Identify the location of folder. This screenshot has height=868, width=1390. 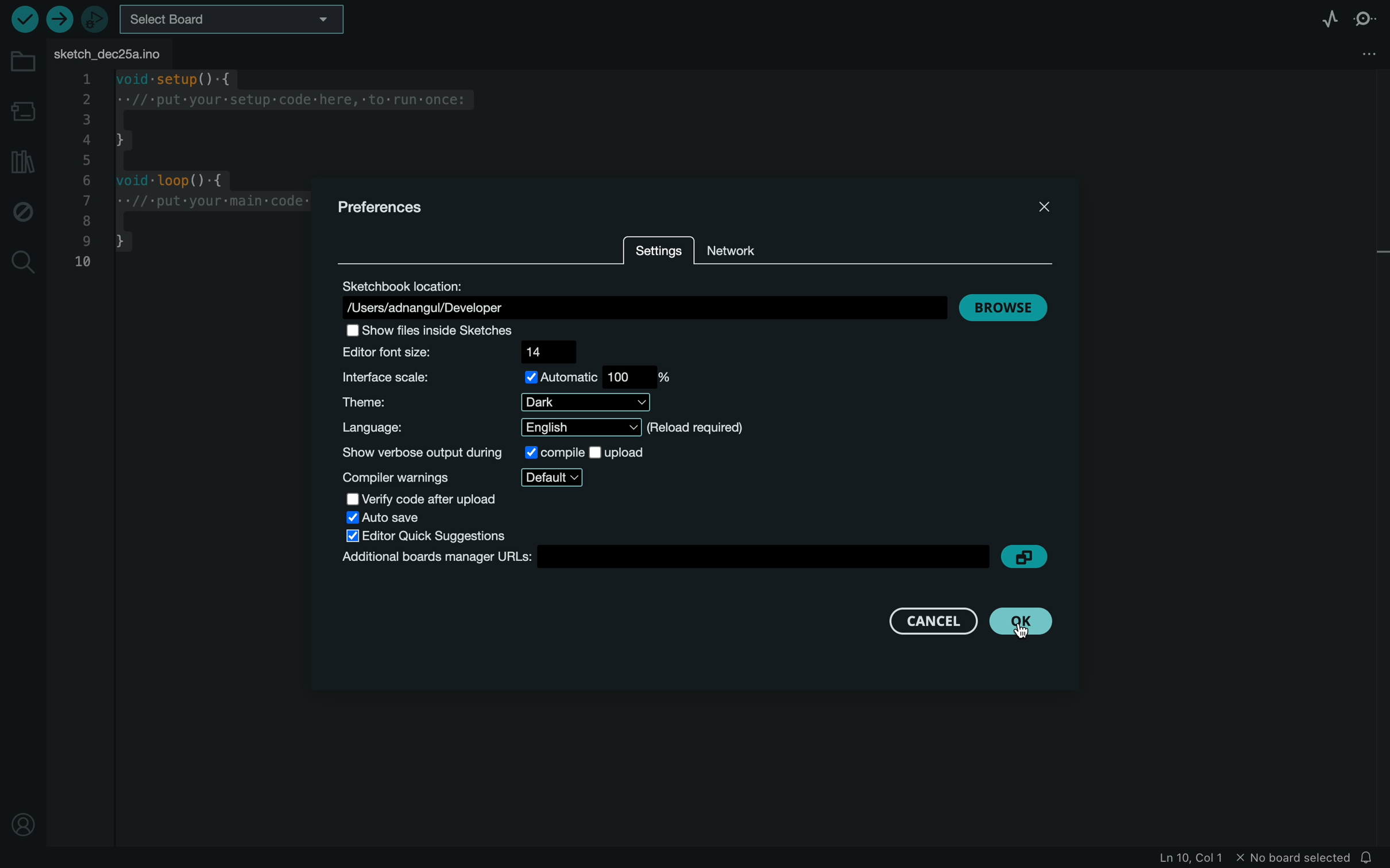
(23, 61).